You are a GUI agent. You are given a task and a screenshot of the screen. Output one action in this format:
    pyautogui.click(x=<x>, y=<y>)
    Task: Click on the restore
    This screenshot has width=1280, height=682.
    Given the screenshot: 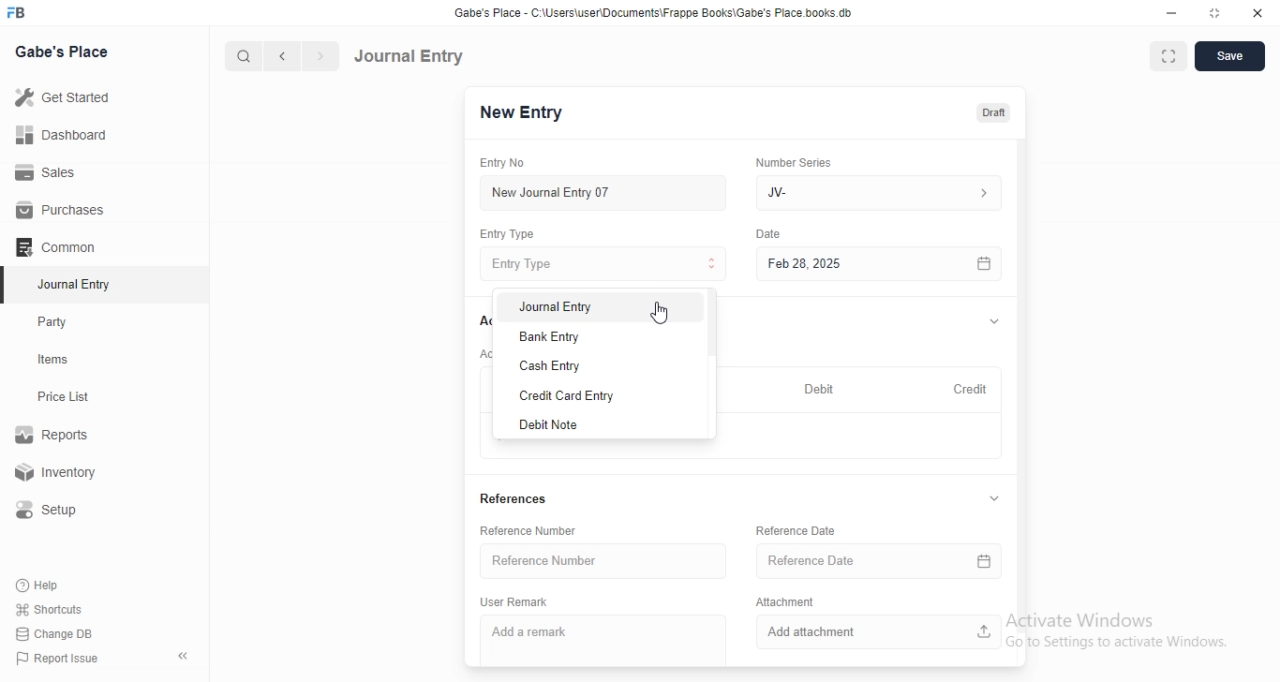 What is the action you would take?
    pyautogui.click(x=1213, y=12)
    